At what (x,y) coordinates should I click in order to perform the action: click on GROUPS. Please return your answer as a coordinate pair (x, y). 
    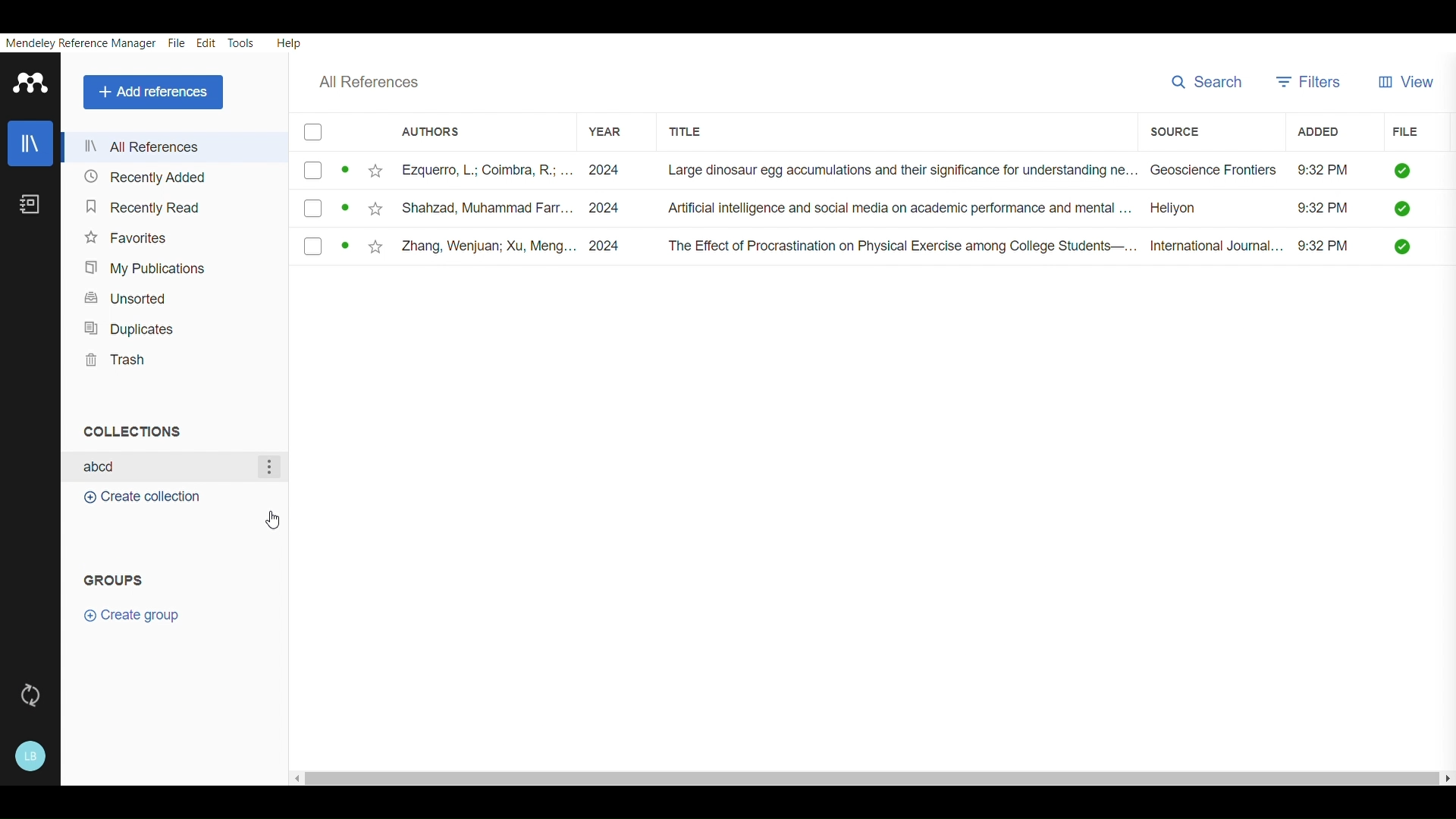
    Looking at the image, I should click on (123, 579).